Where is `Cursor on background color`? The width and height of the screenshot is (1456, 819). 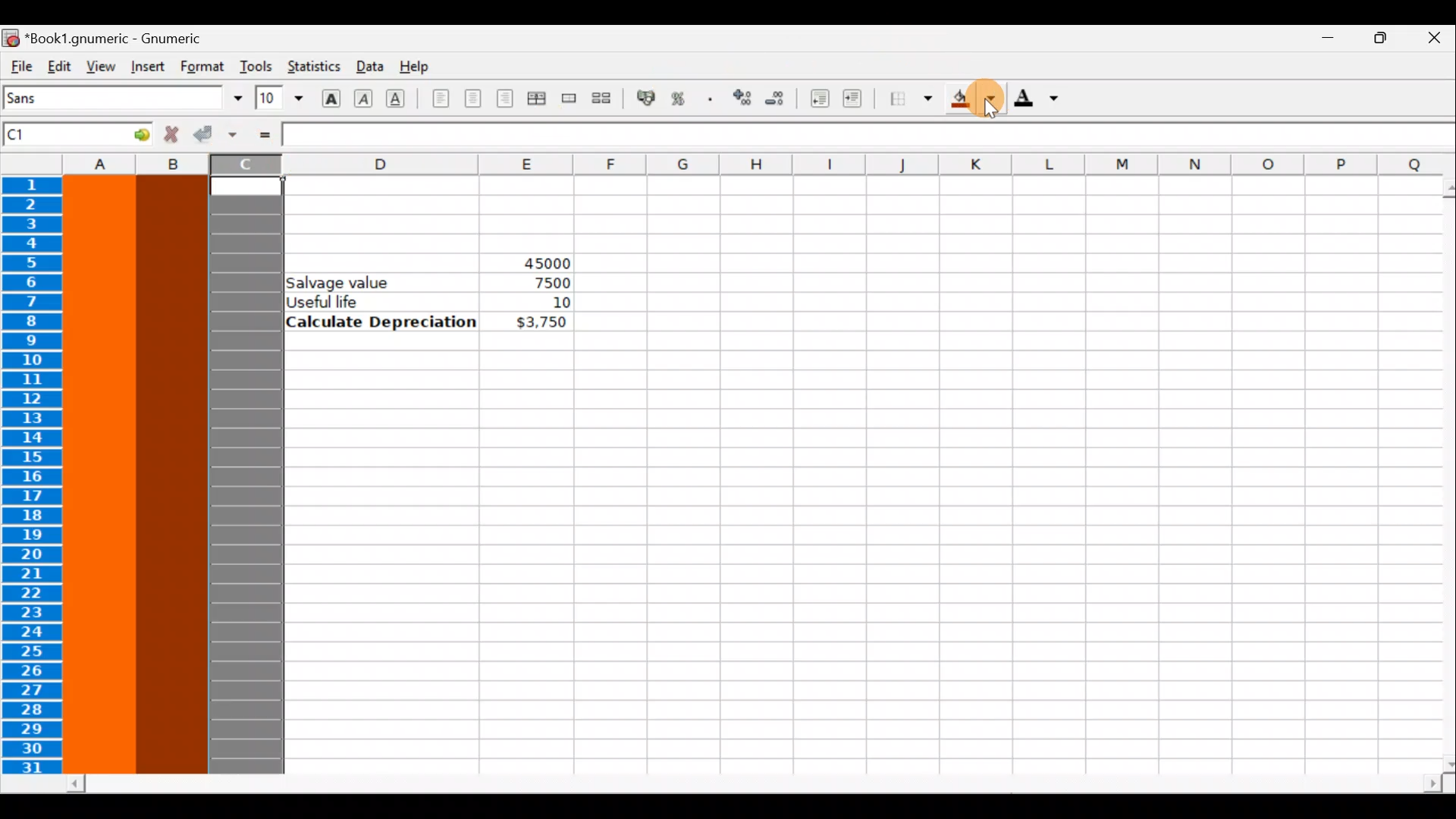 Cursor on background color is located at coordinates (982, 96).